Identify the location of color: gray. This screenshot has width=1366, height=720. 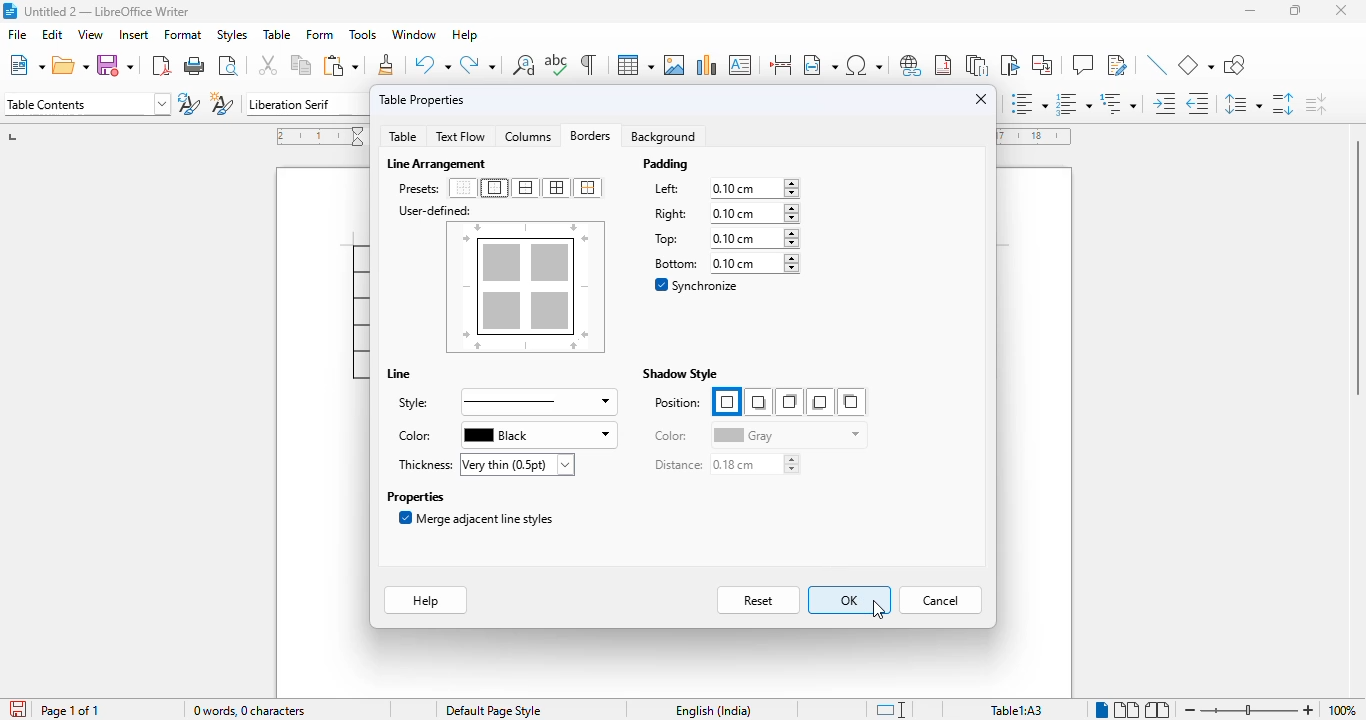
(758, 434).